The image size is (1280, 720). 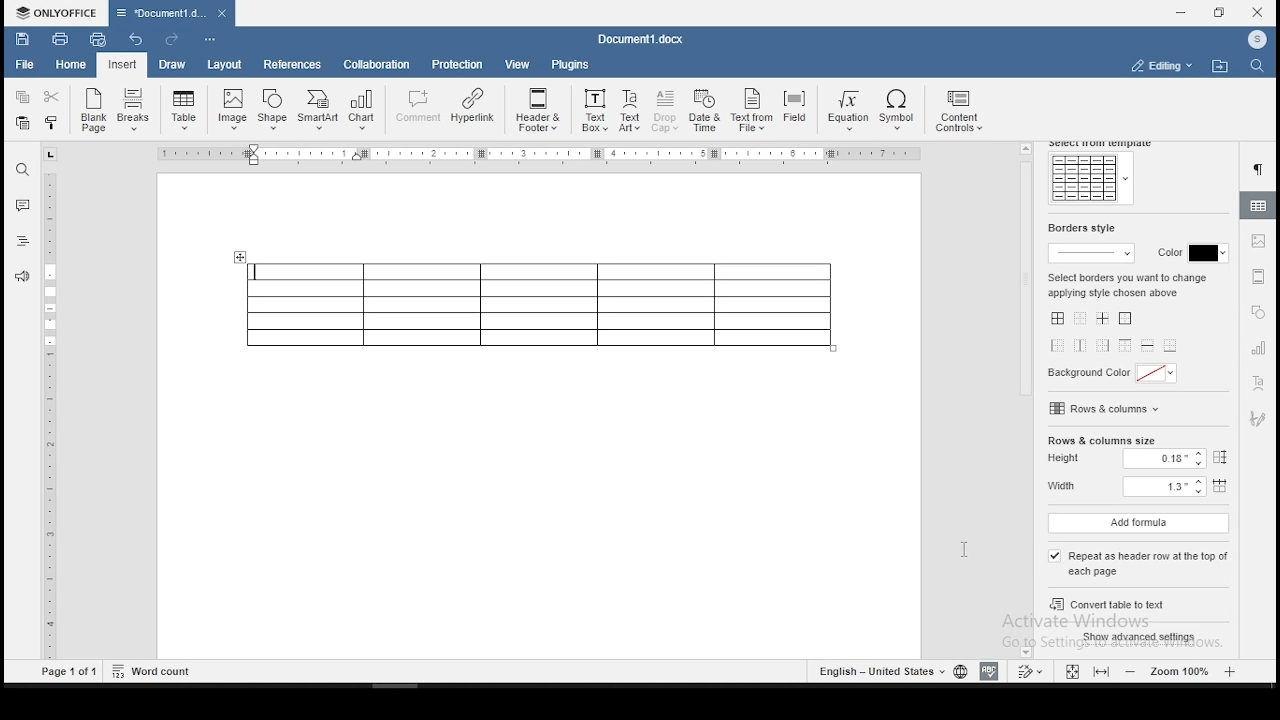 I want to click on save, so click(x=21, y=37).